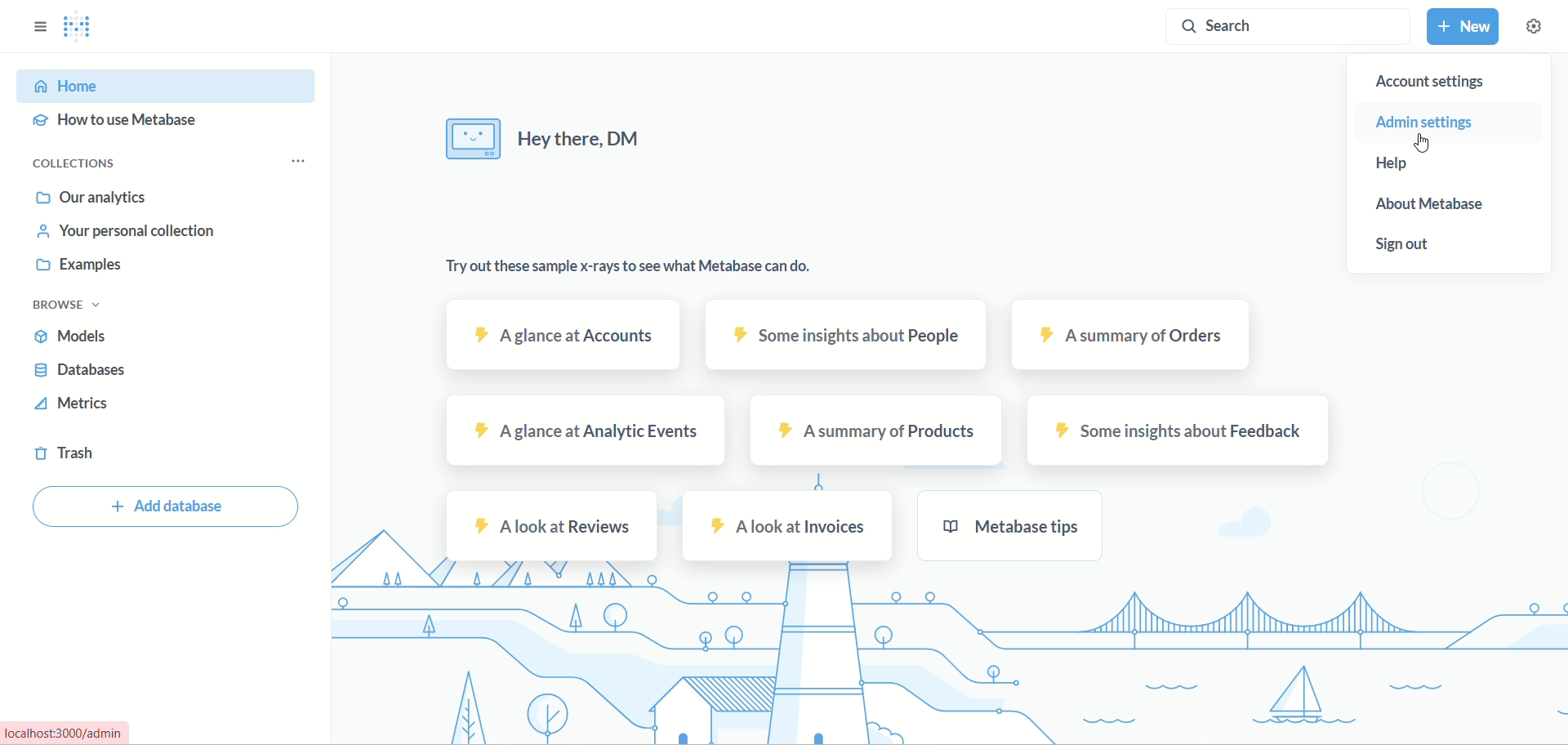  I want to click on text, so click(541, 141).